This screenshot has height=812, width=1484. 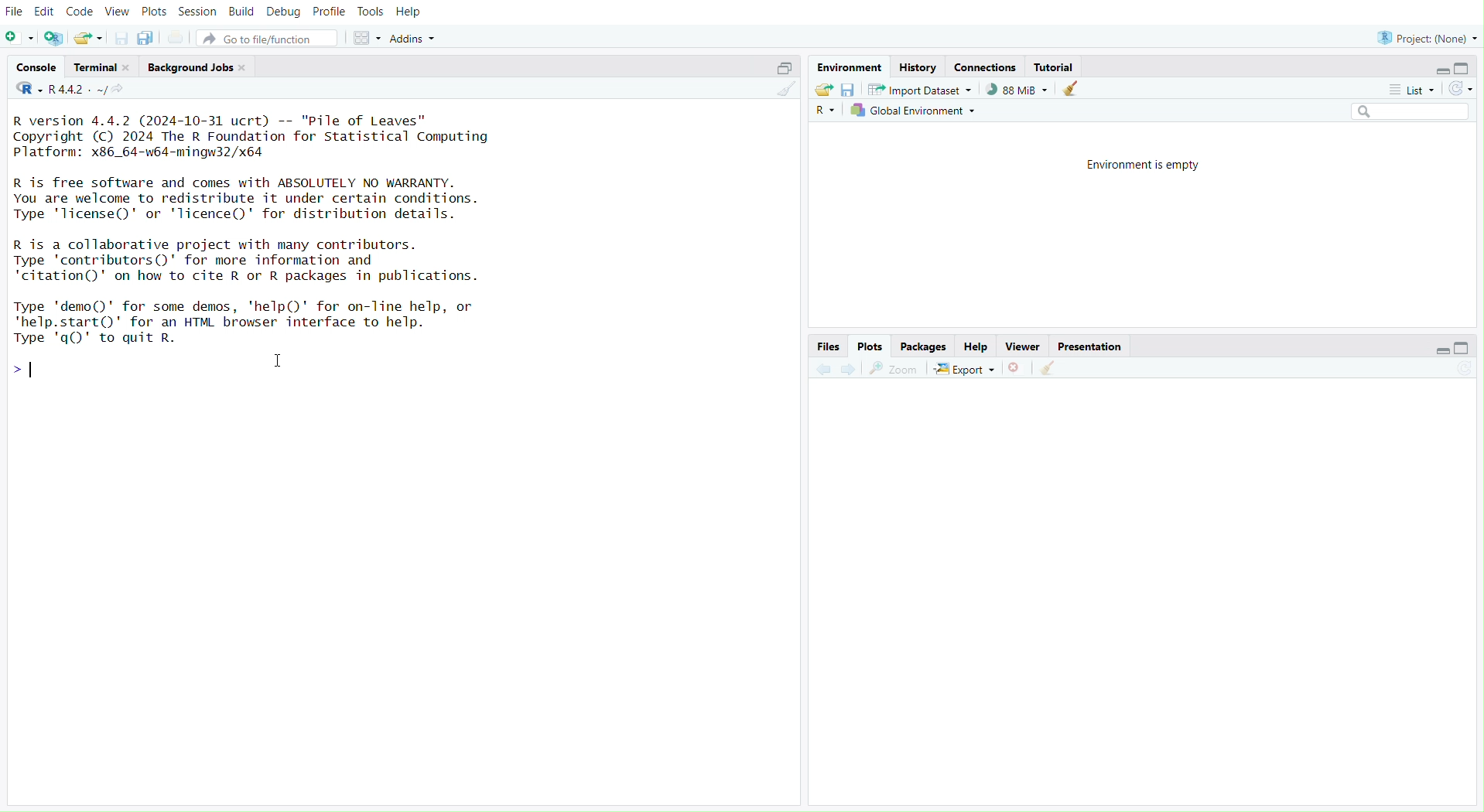 What do you see at coordinates (1469, 347) in the screenshot?
I see `Maximize` at bounding box center [1469, 347].